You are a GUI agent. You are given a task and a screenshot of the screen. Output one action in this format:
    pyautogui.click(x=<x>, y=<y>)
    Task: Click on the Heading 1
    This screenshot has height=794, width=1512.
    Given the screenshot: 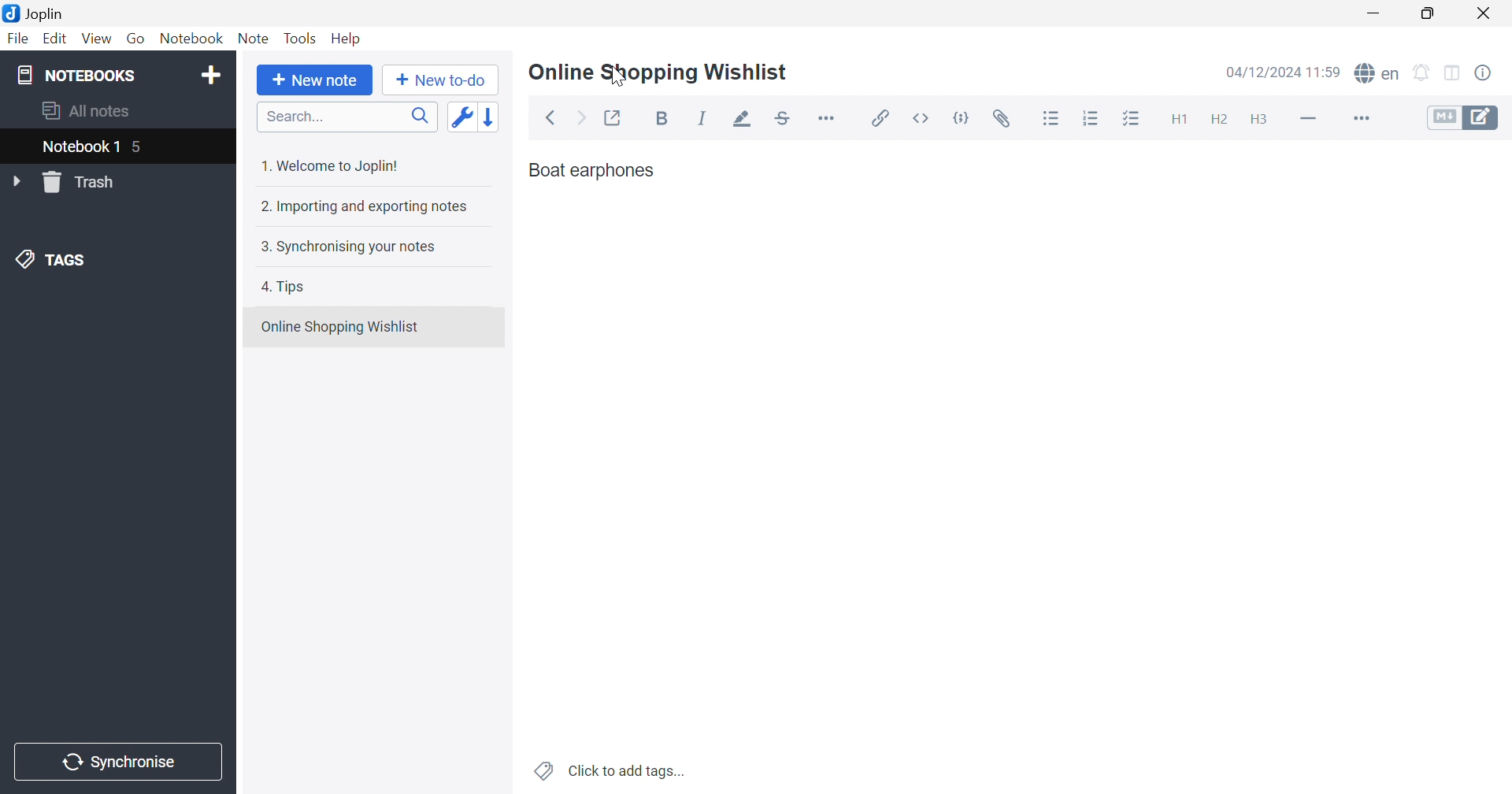 What is the action you would take?
    pyautogui.click(x=1182, y=119)
    